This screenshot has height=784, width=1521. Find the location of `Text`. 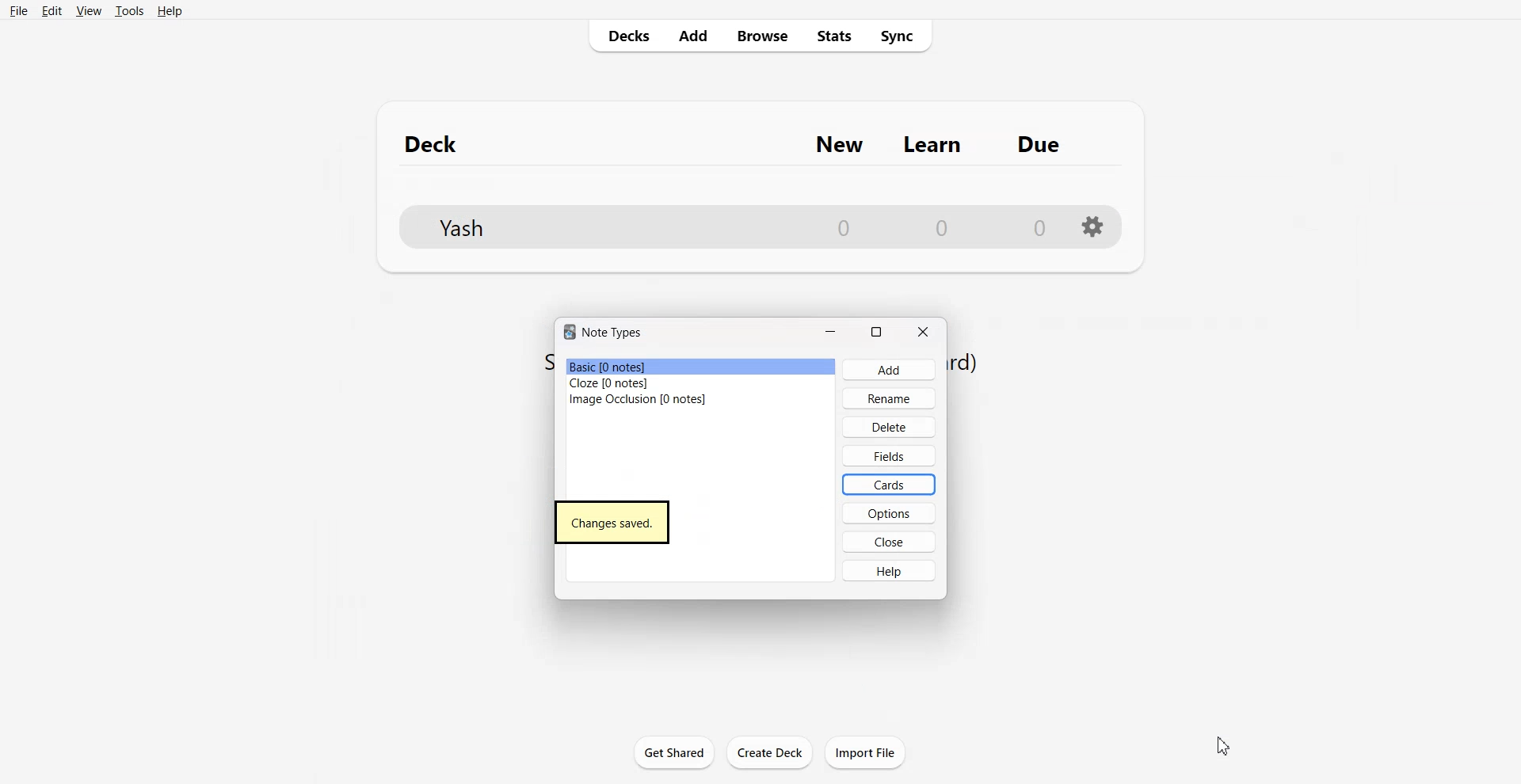

Text is located at coordinates (603, 333).